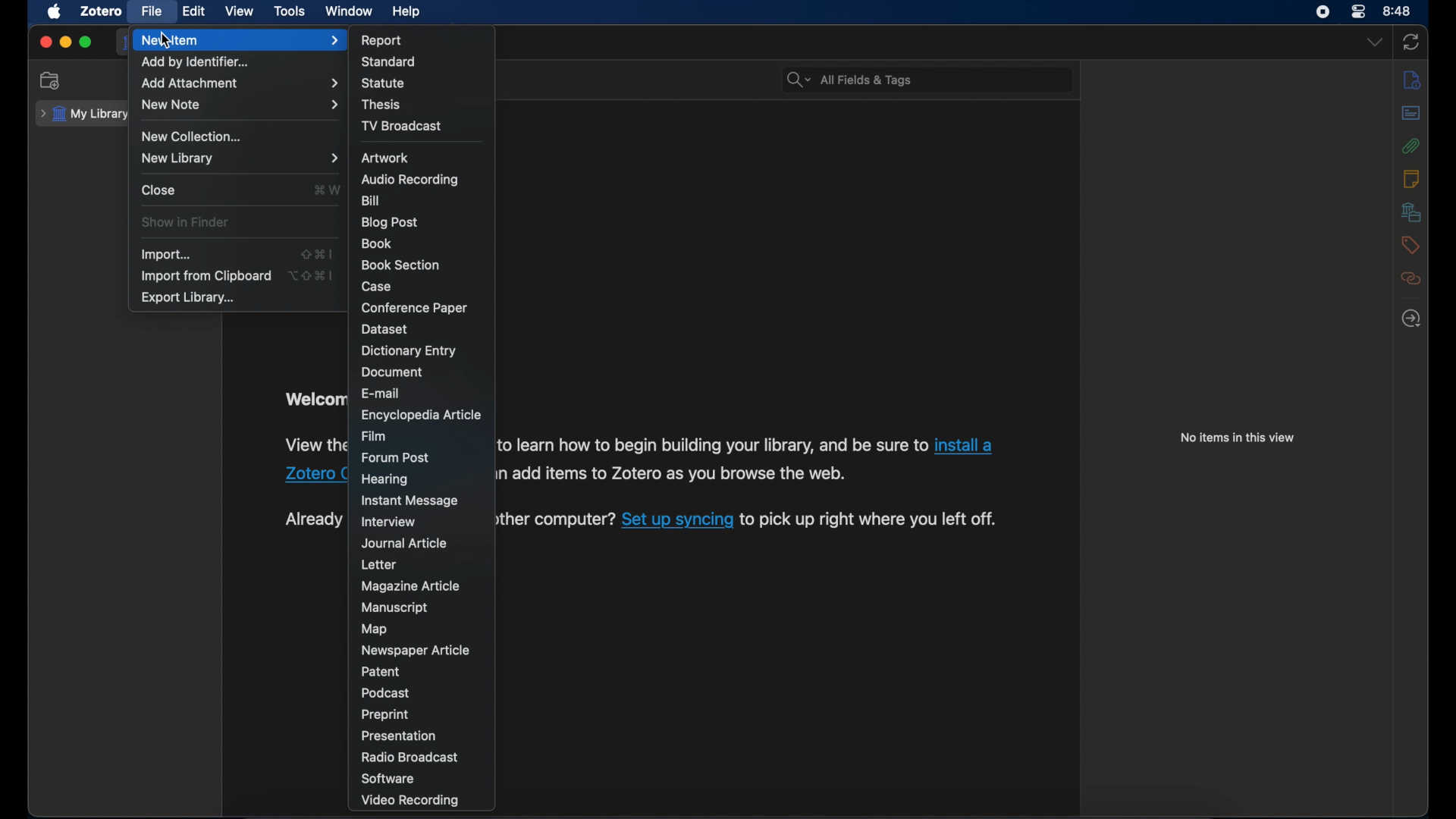 The image size is (1456, 819). I want to click on report, so click(382, 40).